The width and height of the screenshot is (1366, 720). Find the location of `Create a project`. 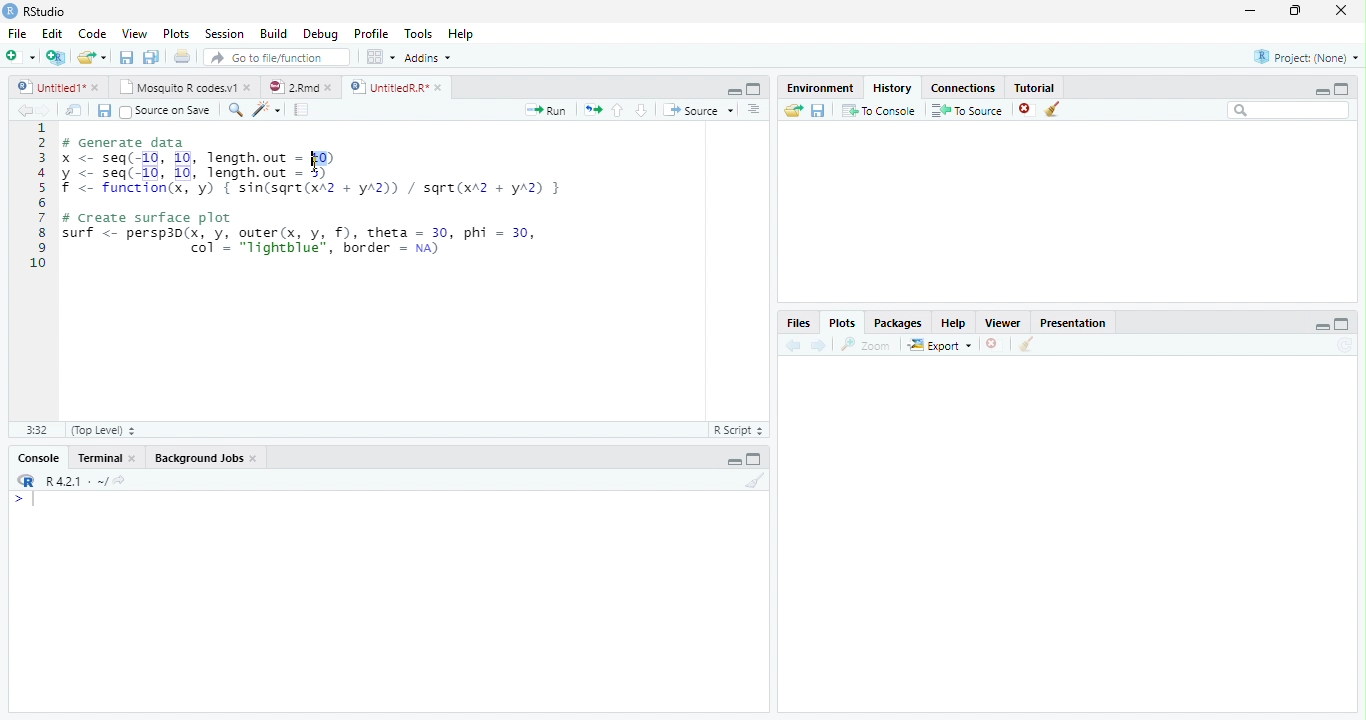

Create a project is located at coordinates (54, 57).